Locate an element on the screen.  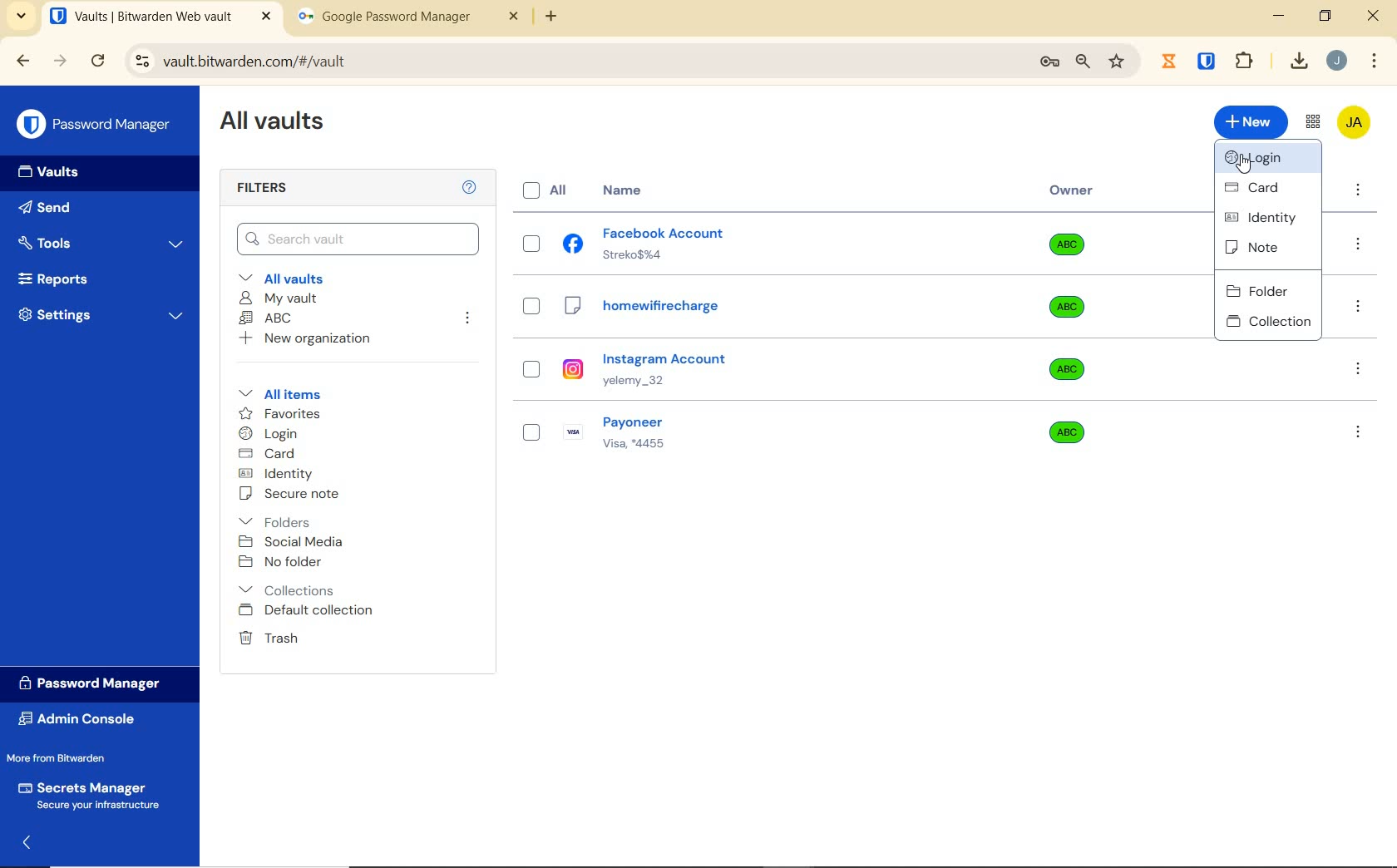
New organization is located at coordinates (303, 338).